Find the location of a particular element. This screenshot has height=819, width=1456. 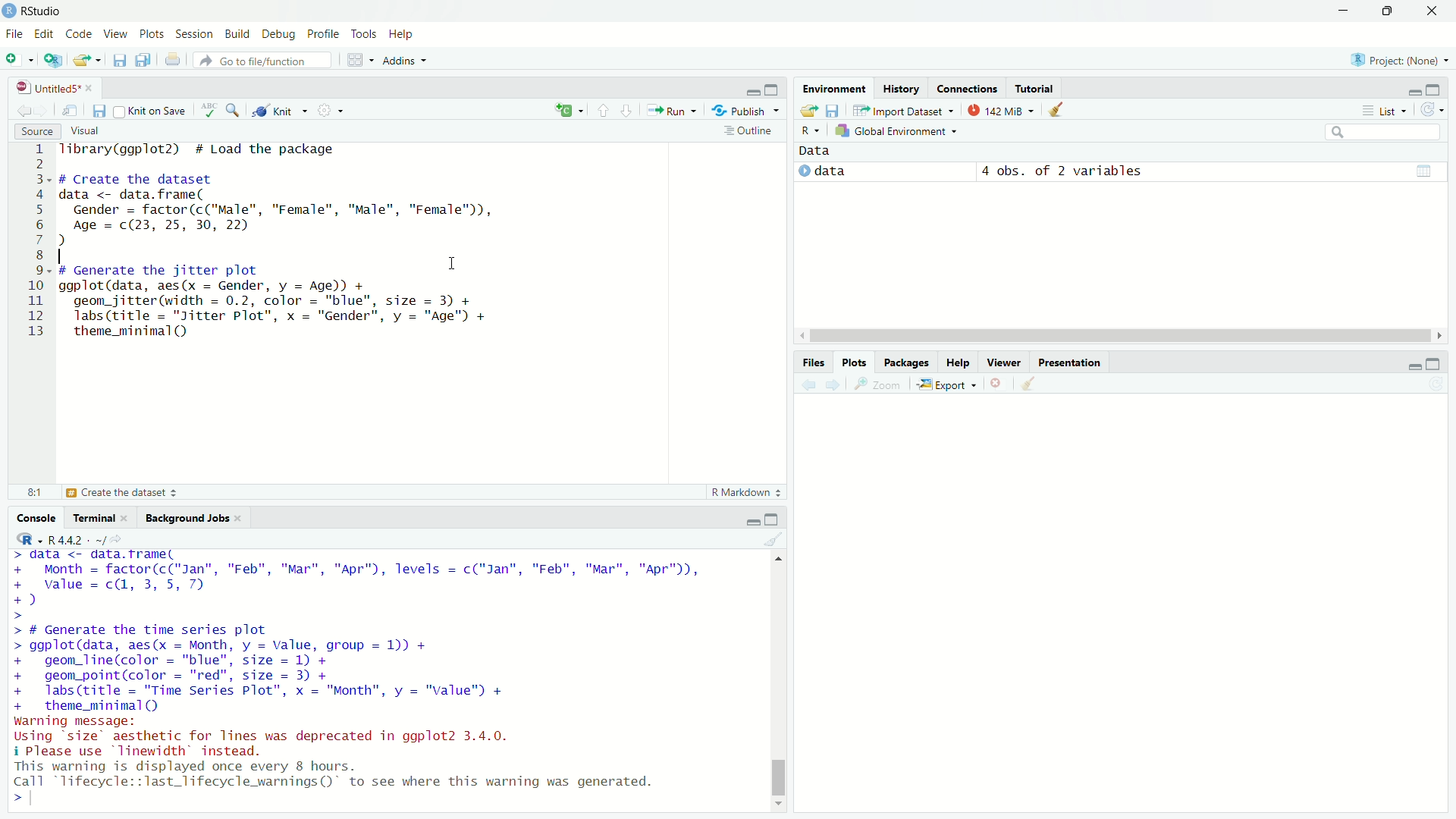

outline is located at coordinates (748, 131).